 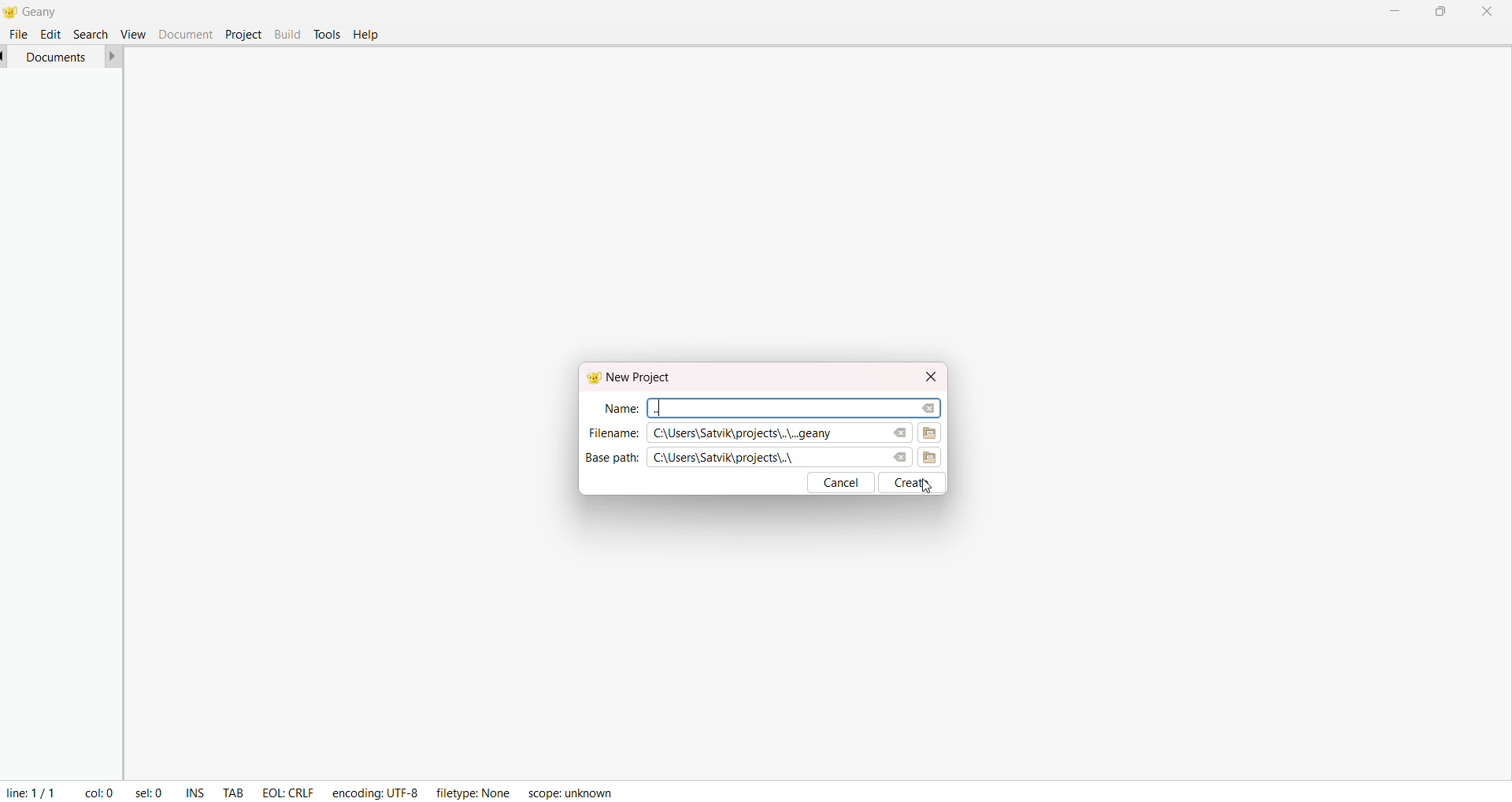 I want to click on cancel, so click(x=839, y=482).